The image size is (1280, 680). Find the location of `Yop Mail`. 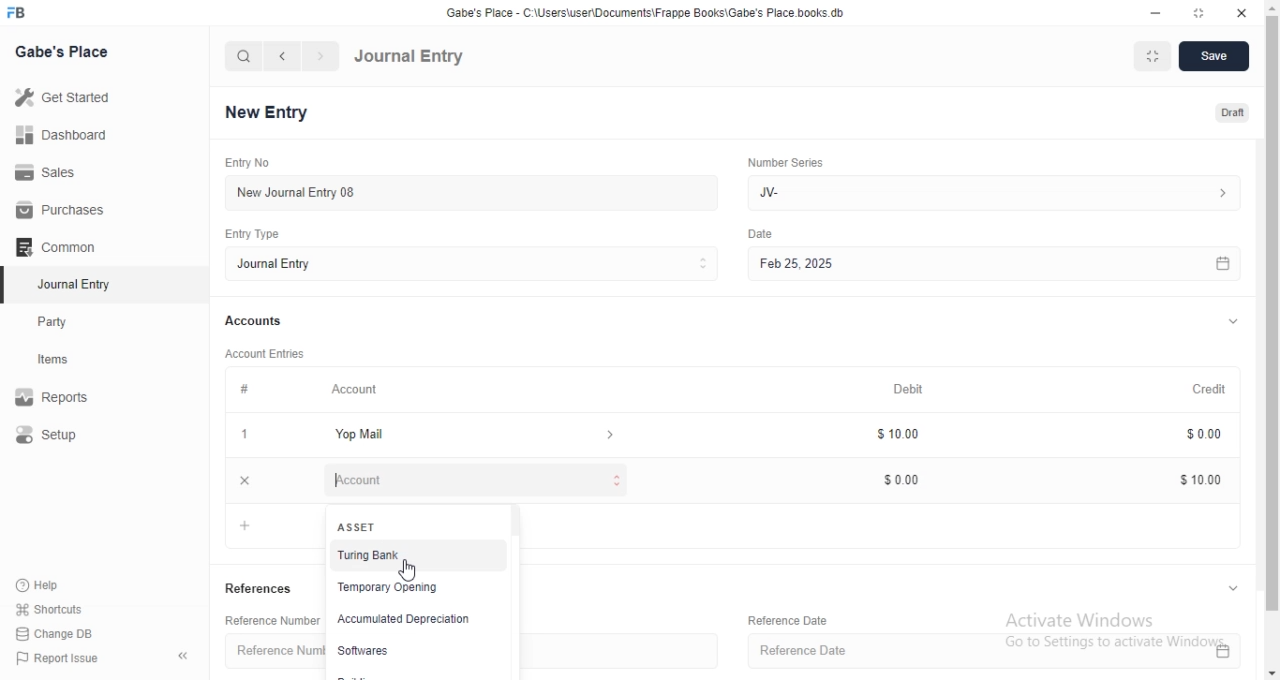

Yop Mail is located at coordinates (473, 435).